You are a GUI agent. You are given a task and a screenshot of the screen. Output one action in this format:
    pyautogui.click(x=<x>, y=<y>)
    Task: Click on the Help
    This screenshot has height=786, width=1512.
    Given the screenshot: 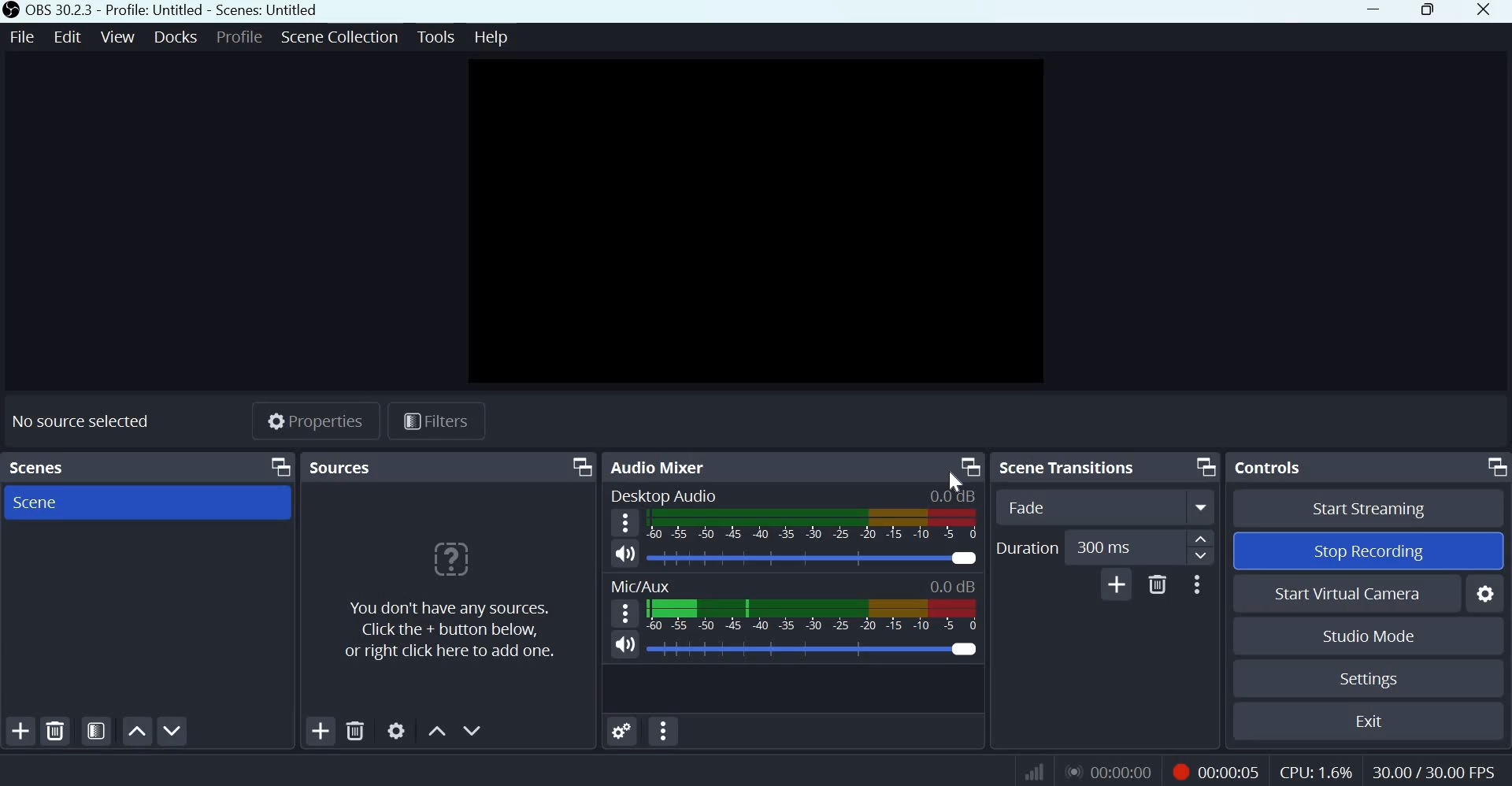 What is the action you would take?
    pyautogui.click(x=491, y=35)
    